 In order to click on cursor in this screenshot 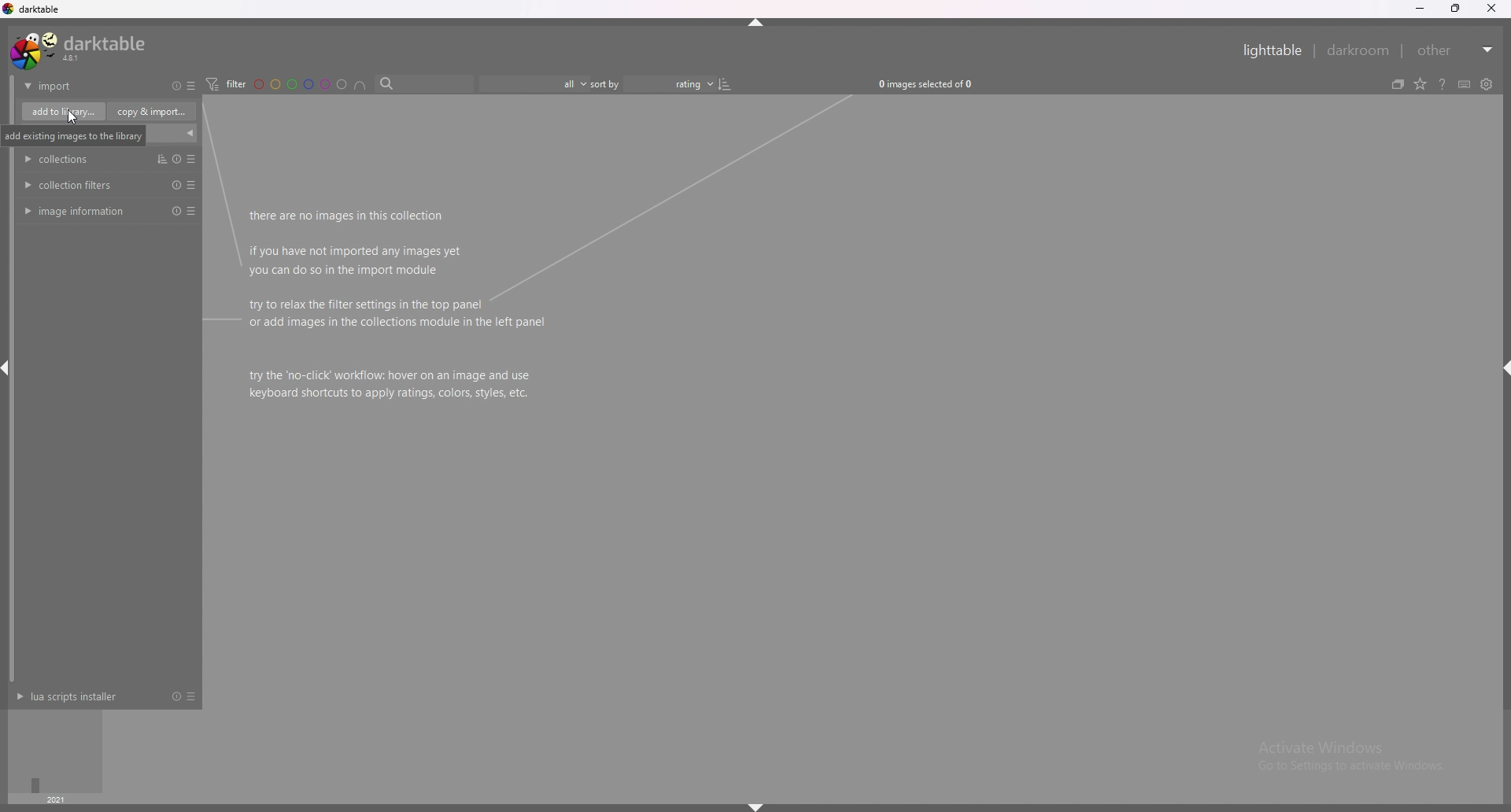, I will do `click(73, 117)`.